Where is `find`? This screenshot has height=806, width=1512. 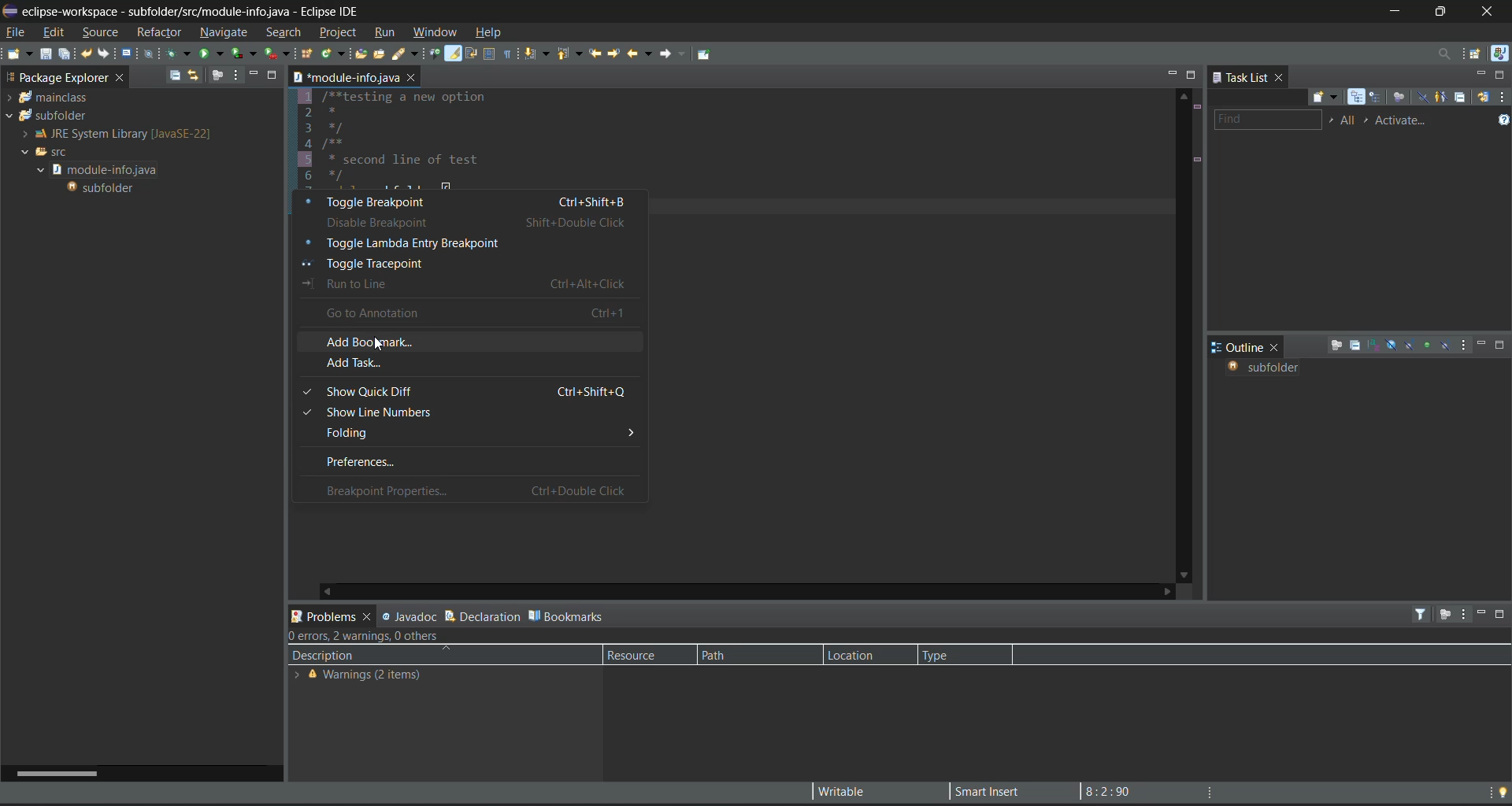 find is located at coordinates (1266, 120).